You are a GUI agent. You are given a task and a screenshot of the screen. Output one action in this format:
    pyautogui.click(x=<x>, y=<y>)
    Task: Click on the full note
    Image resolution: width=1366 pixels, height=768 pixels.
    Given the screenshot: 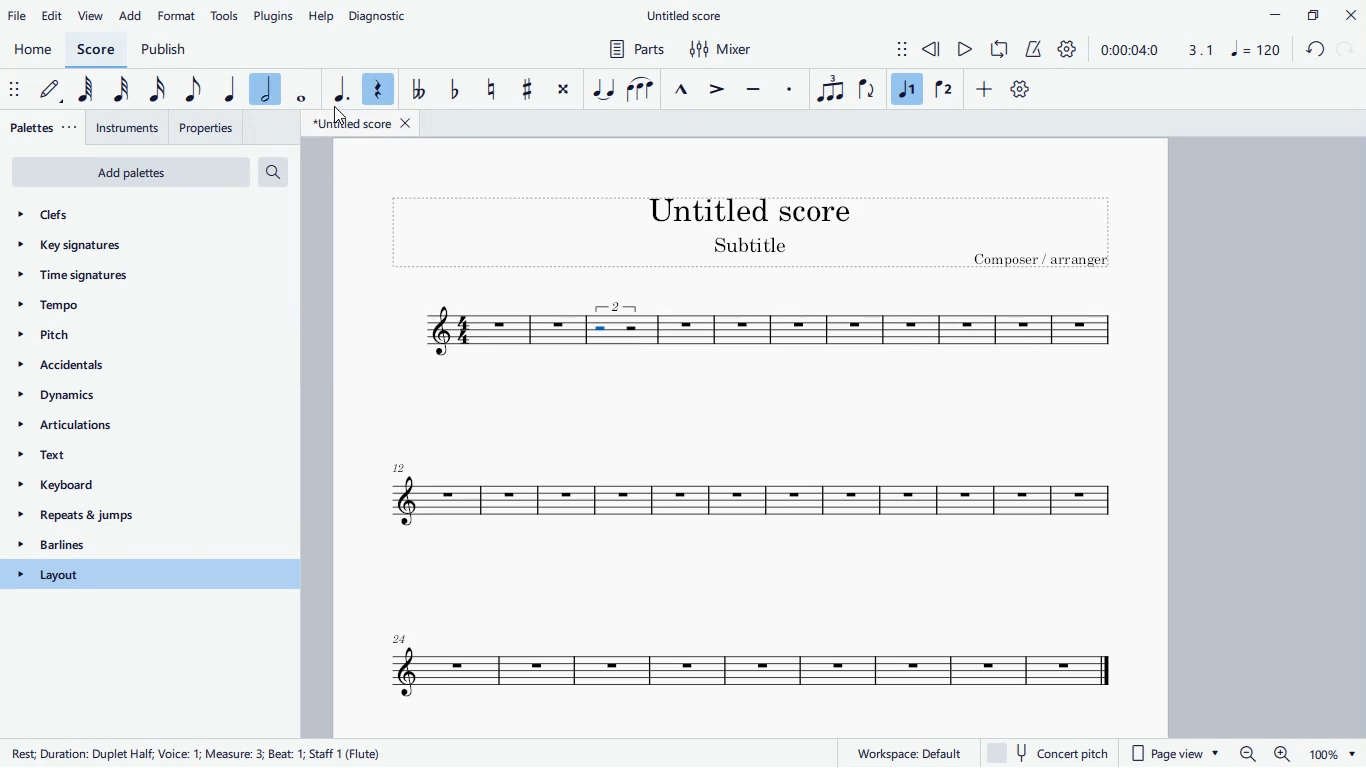 What is the action you would take?
    pyautogui.click(x=304, y=87)
    